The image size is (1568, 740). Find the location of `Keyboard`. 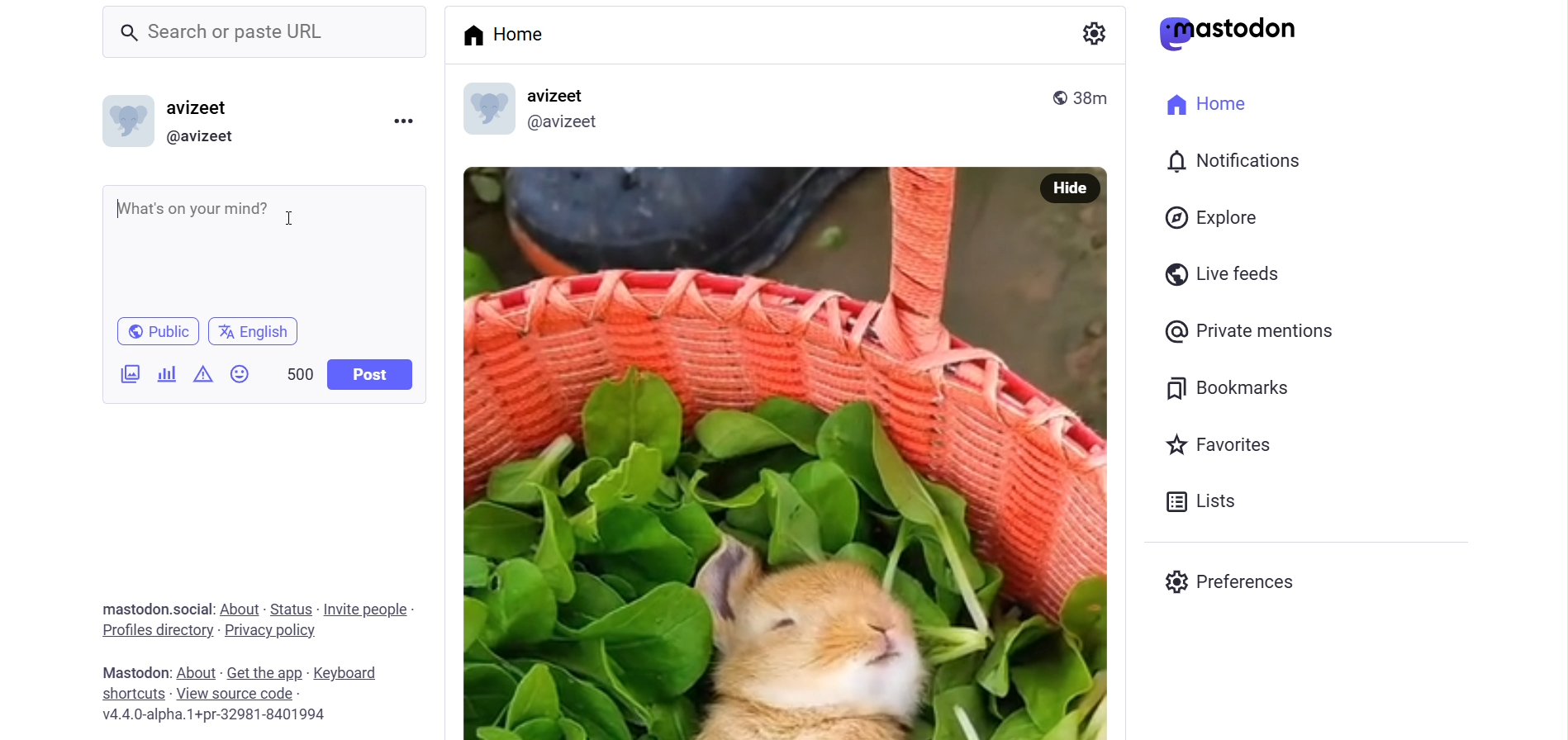

Keyboard is located at coordinates (352, 671).